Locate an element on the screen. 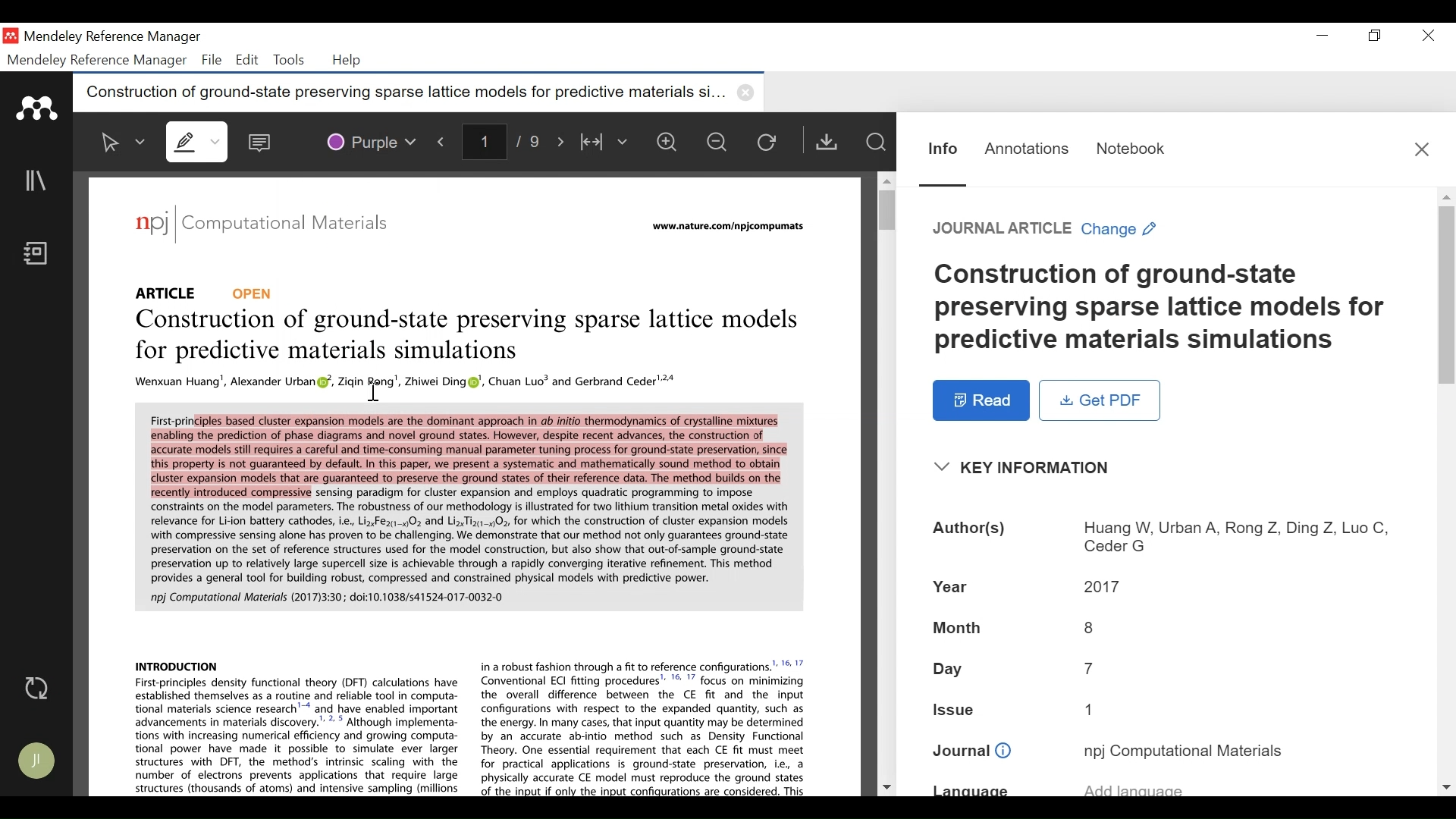 The image size is (1456, 819). Vertical Scroll bar is located at coordinates (886, 208).